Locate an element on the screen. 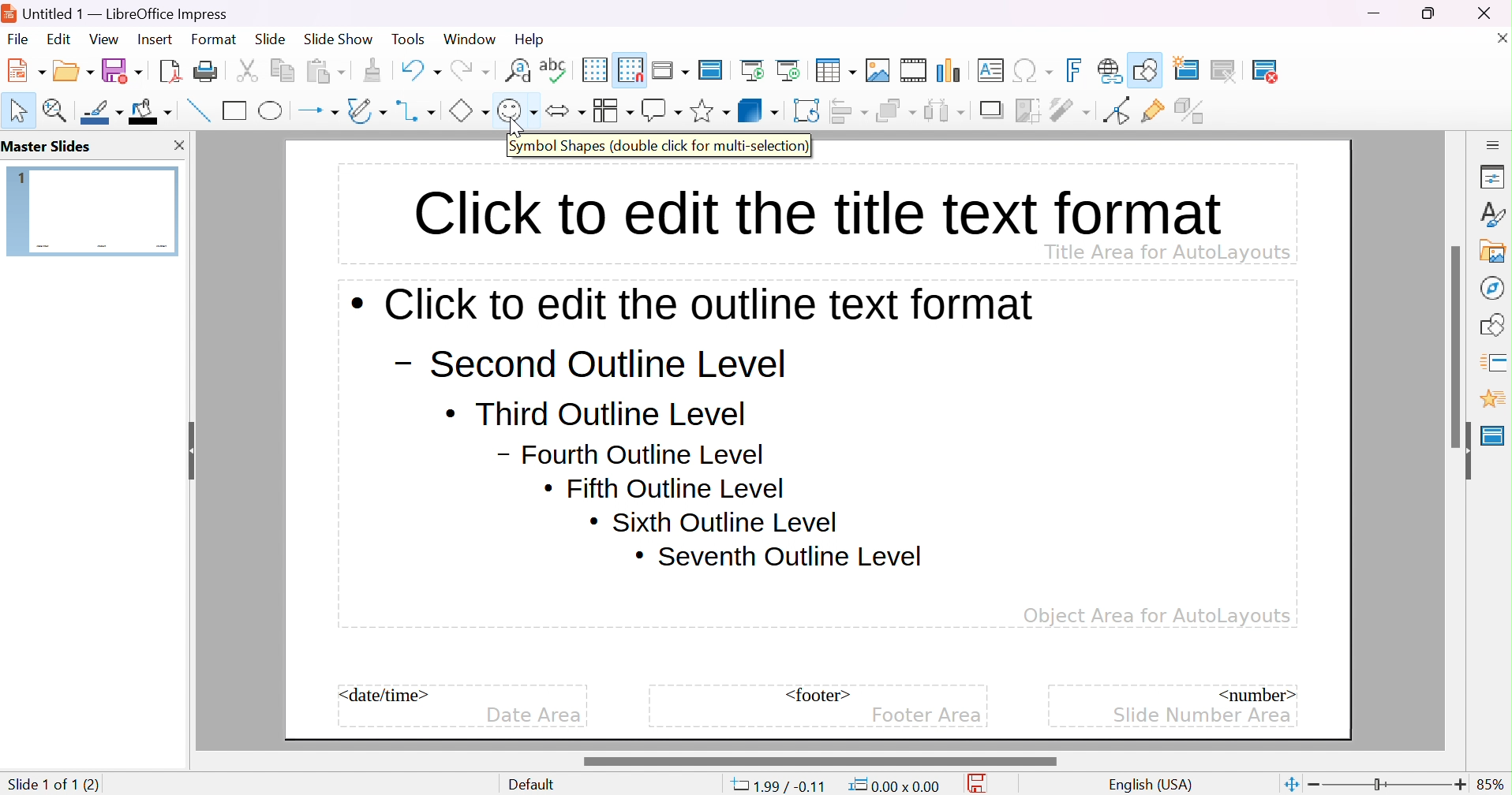 Image resolution: width=1512 pixels, height=795 pixels. restore down is located at coordinates (1429, 13).